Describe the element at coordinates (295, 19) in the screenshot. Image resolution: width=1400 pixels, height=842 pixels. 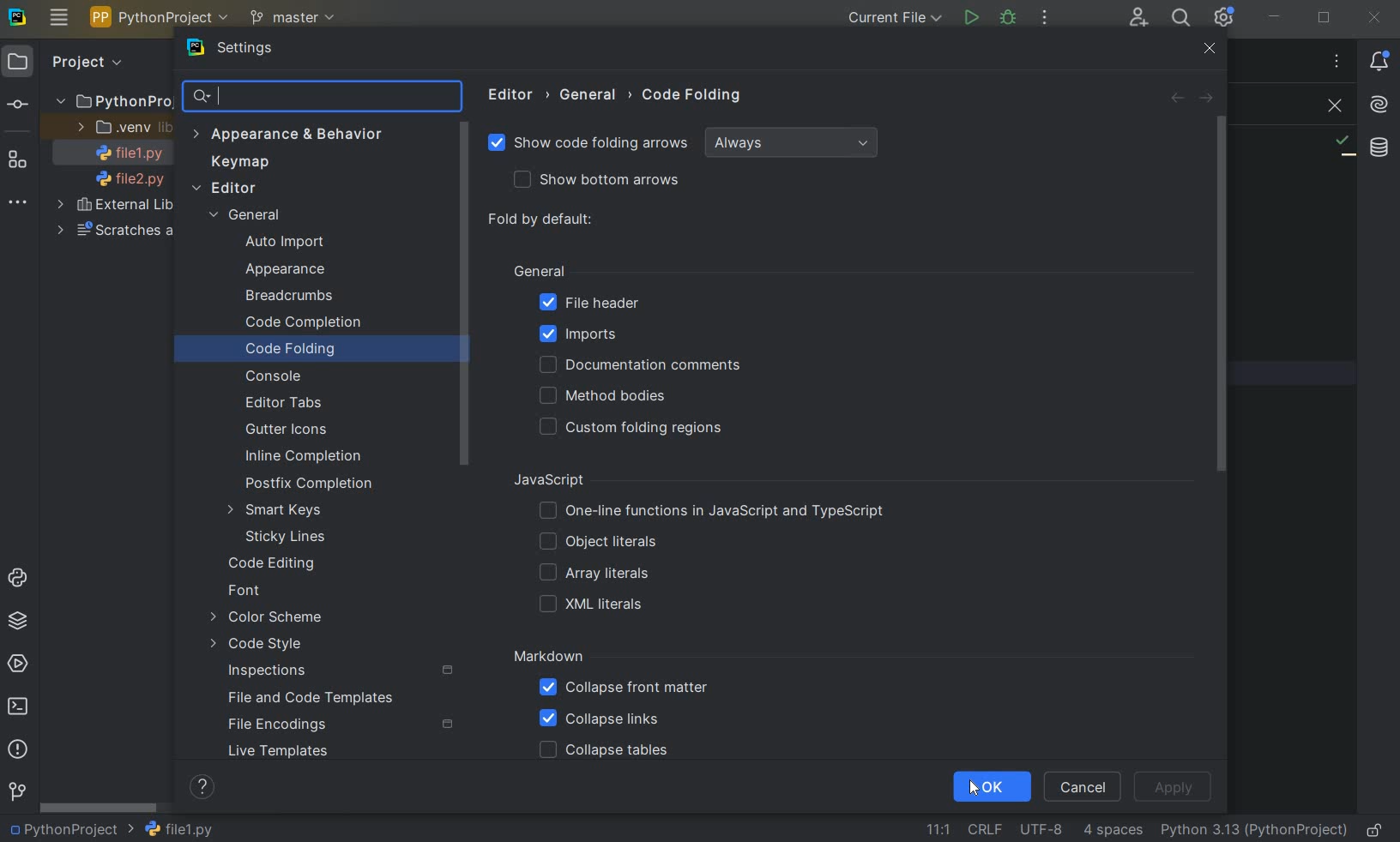
I see `MASTER` at that location.